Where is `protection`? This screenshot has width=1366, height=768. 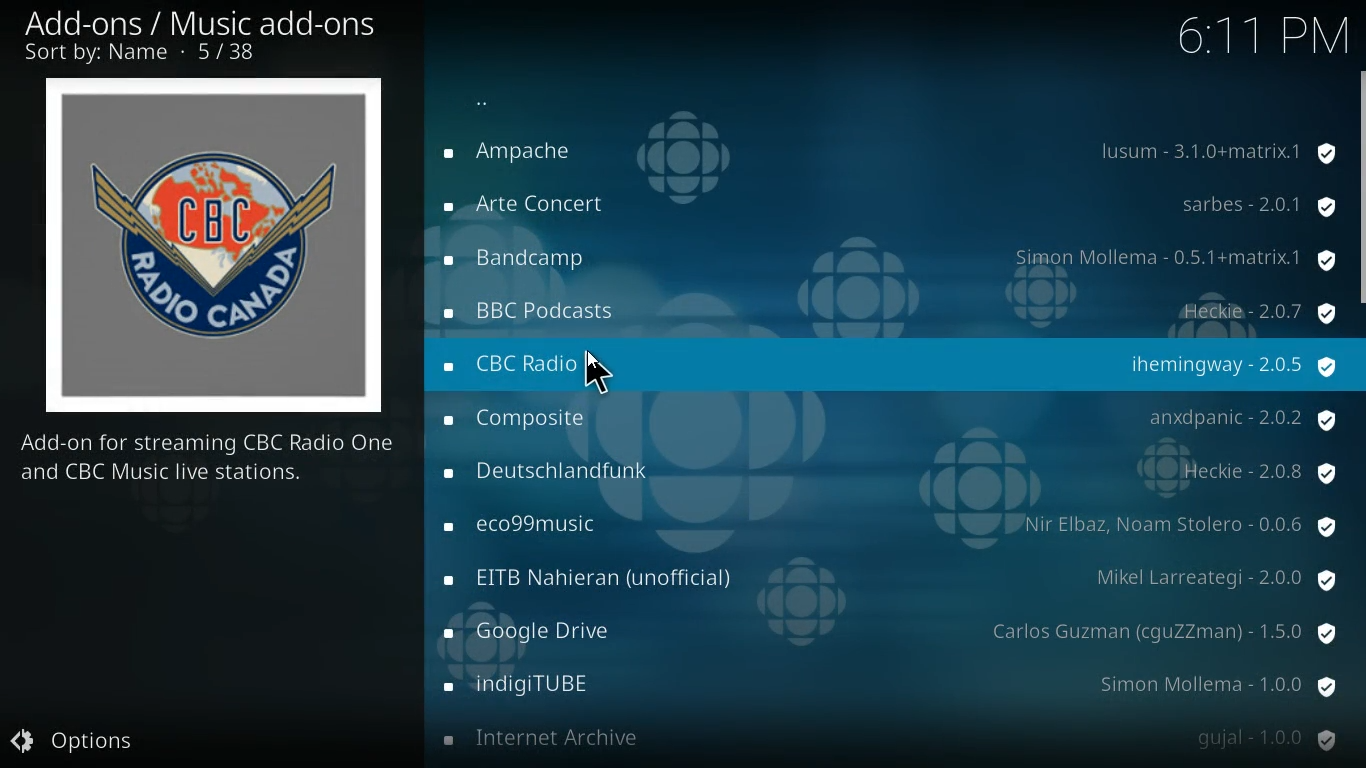
protection is located at coordinates (1189, 686).